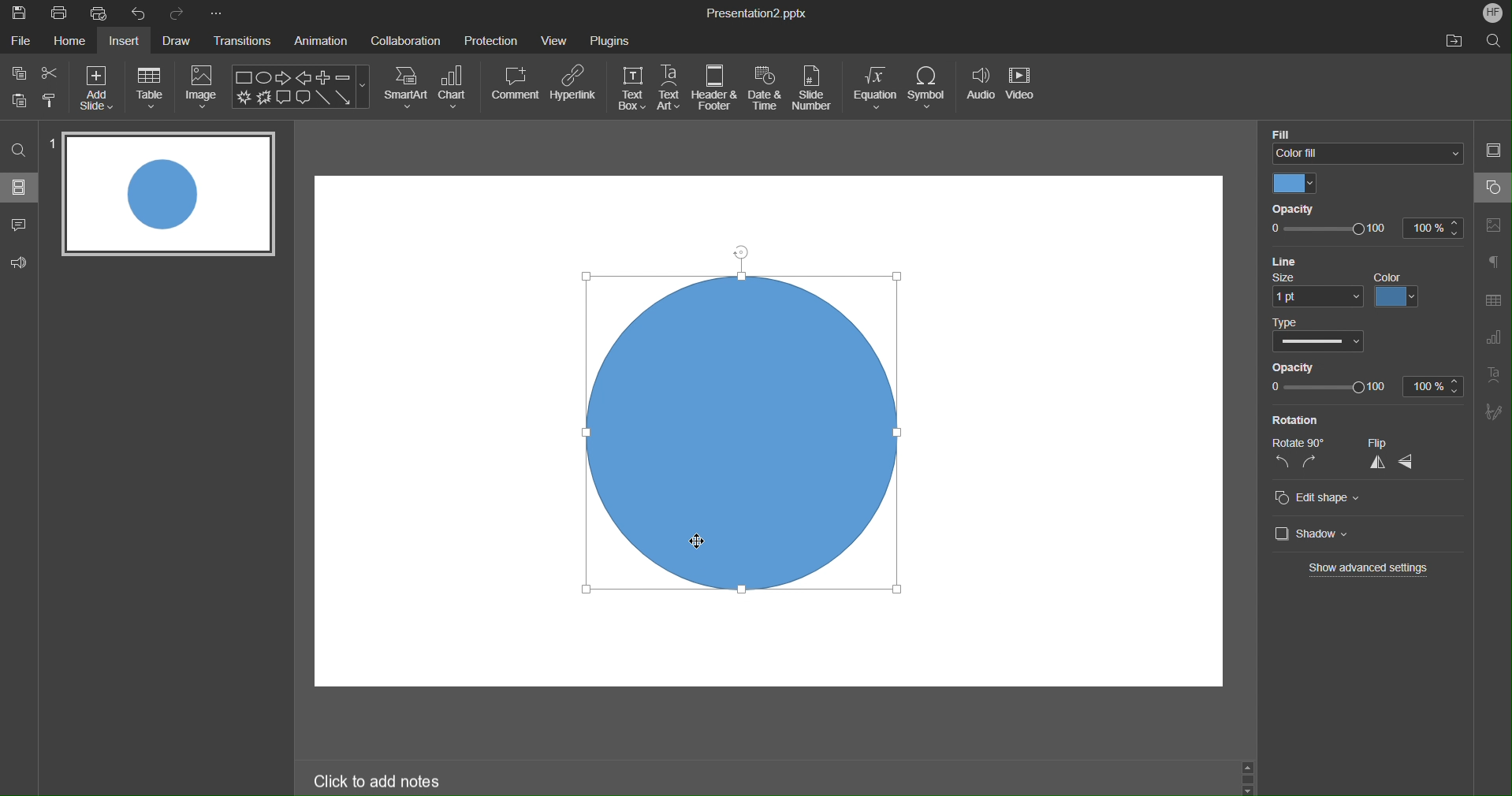 The height and width of the screenshot is (796, 1512). What do you see at coordinates (491, 39) in the screenshot?
I see `Protection` at bounding box center [491, 39].